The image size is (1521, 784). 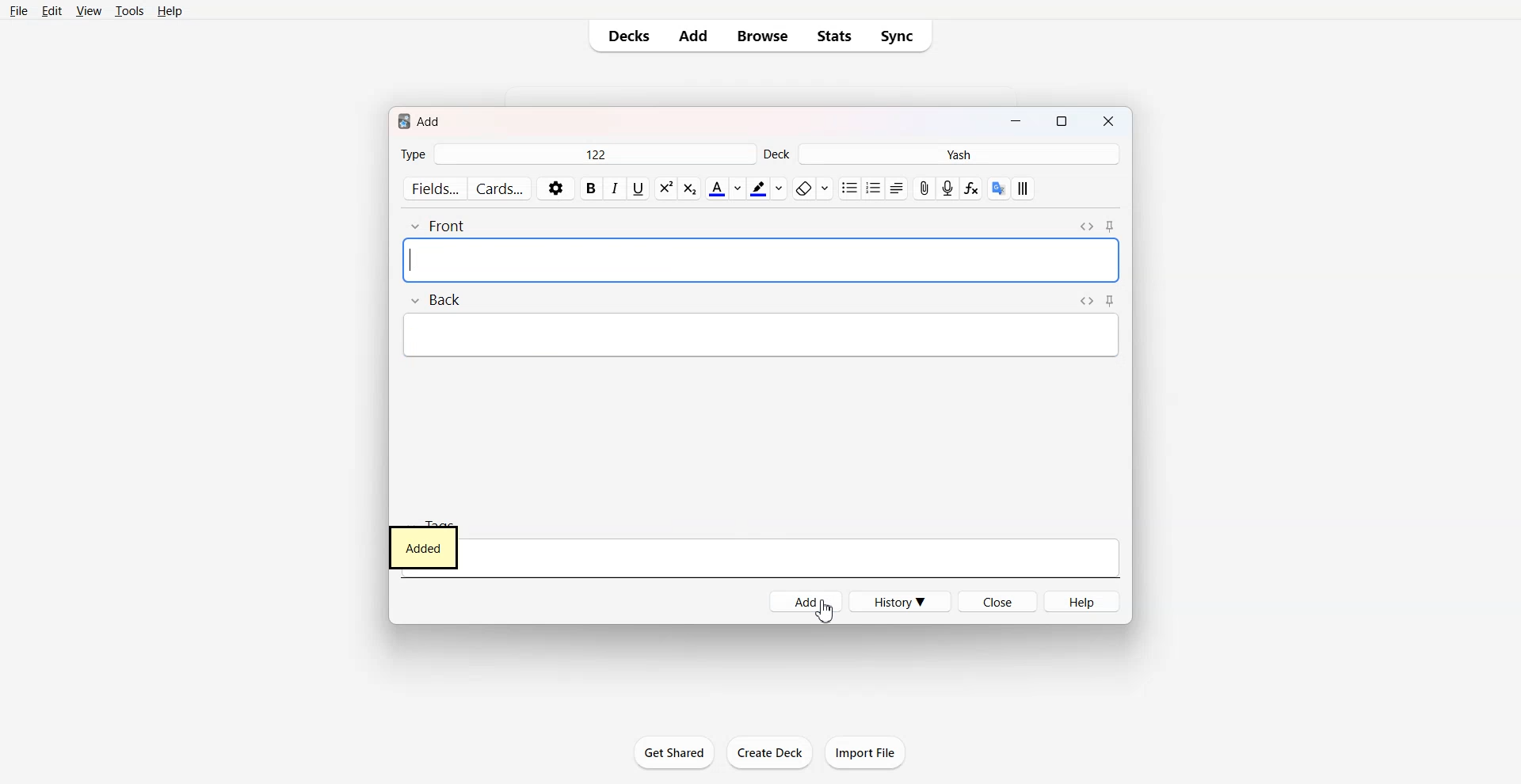 What do you see at coordinates (626, 36) in the screenshot?
I see `Decks` at bounding box center [626, 36].